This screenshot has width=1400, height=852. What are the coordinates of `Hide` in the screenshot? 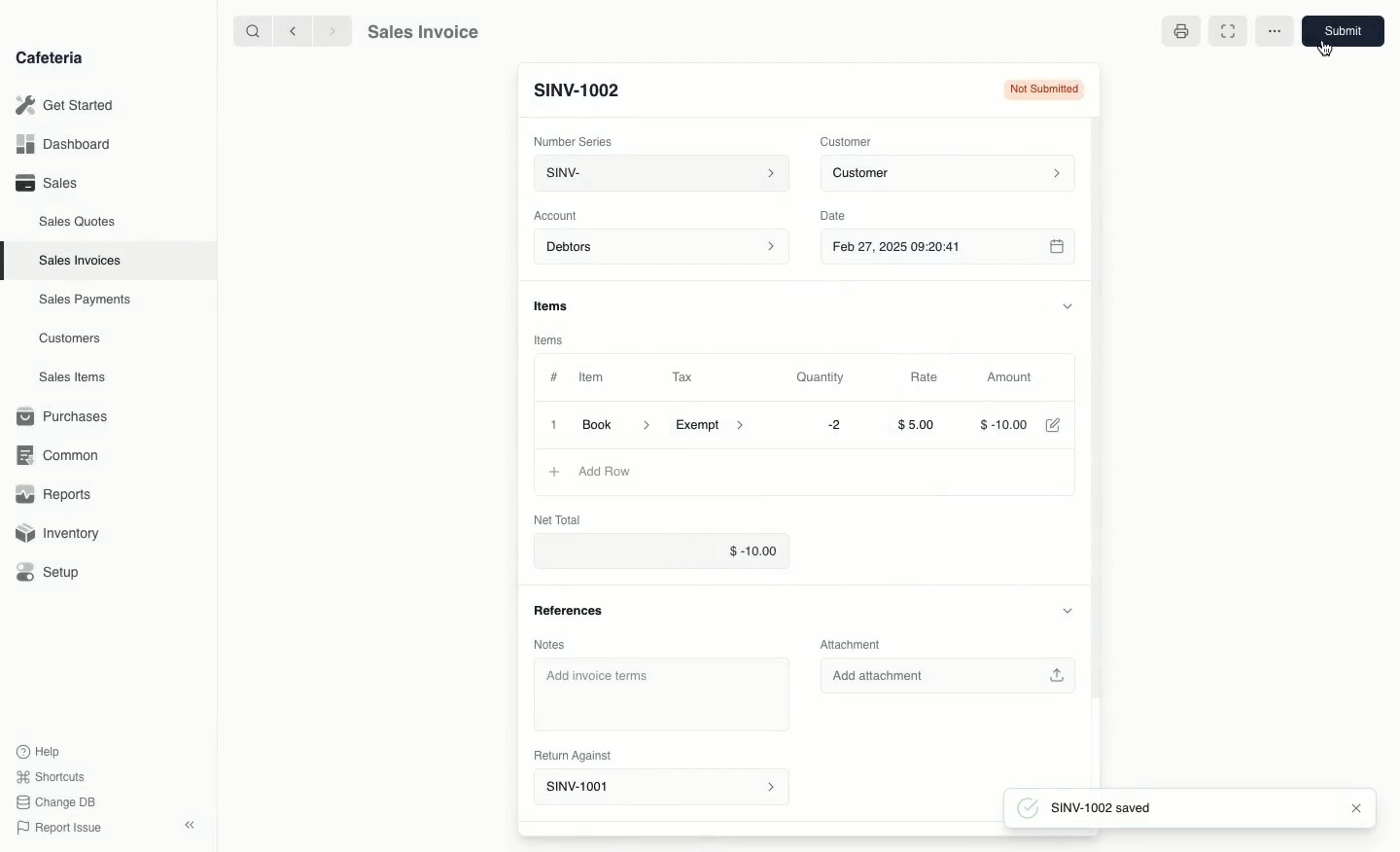 It's located at (1075, 303).